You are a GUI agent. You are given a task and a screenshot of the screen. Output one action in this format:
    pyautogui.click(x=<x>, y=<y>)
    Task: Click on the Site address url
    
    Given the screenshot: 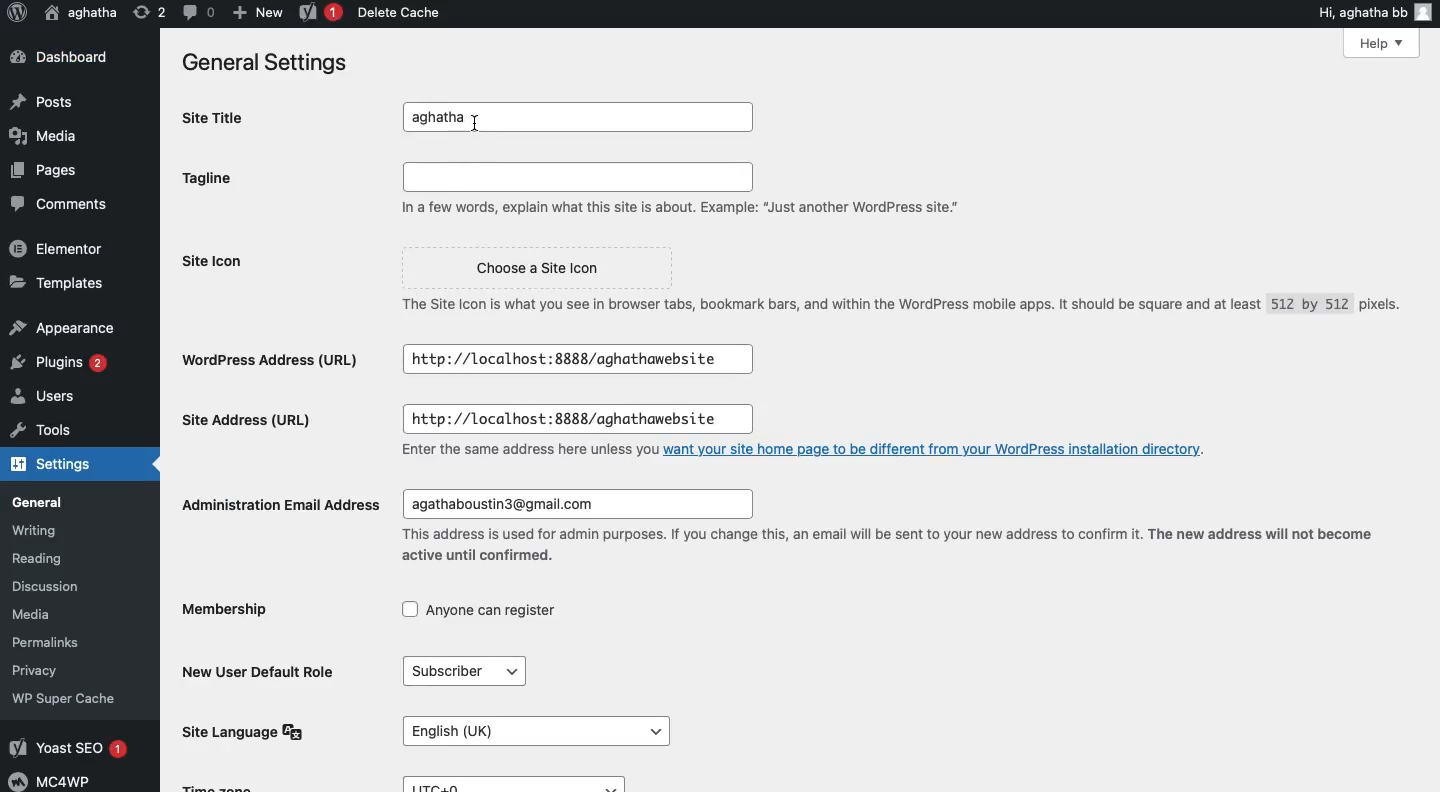 What is the action you would take?
    pyautogui.click(x=251, y=423)
    